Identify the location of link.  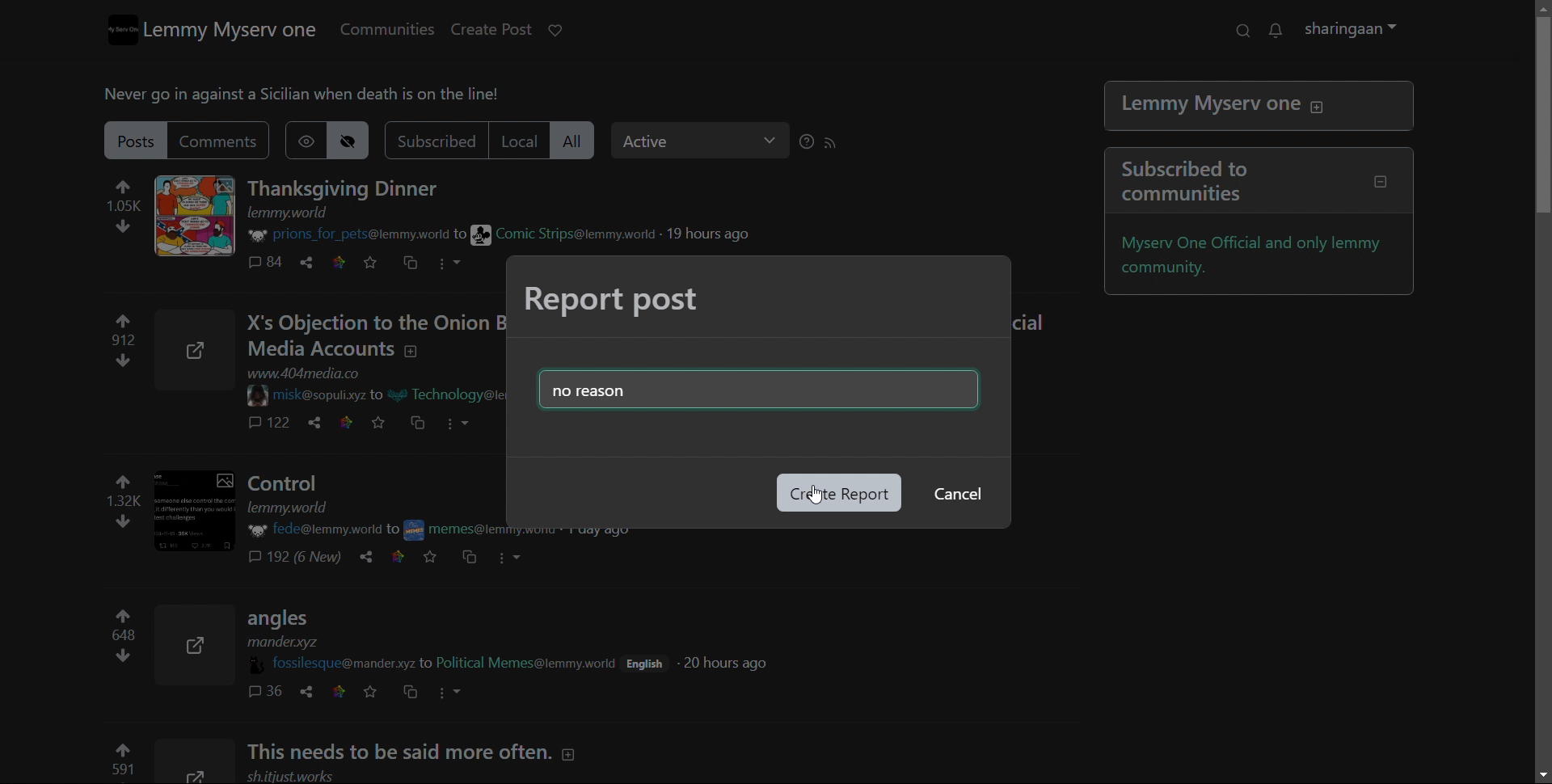
(348, 262).